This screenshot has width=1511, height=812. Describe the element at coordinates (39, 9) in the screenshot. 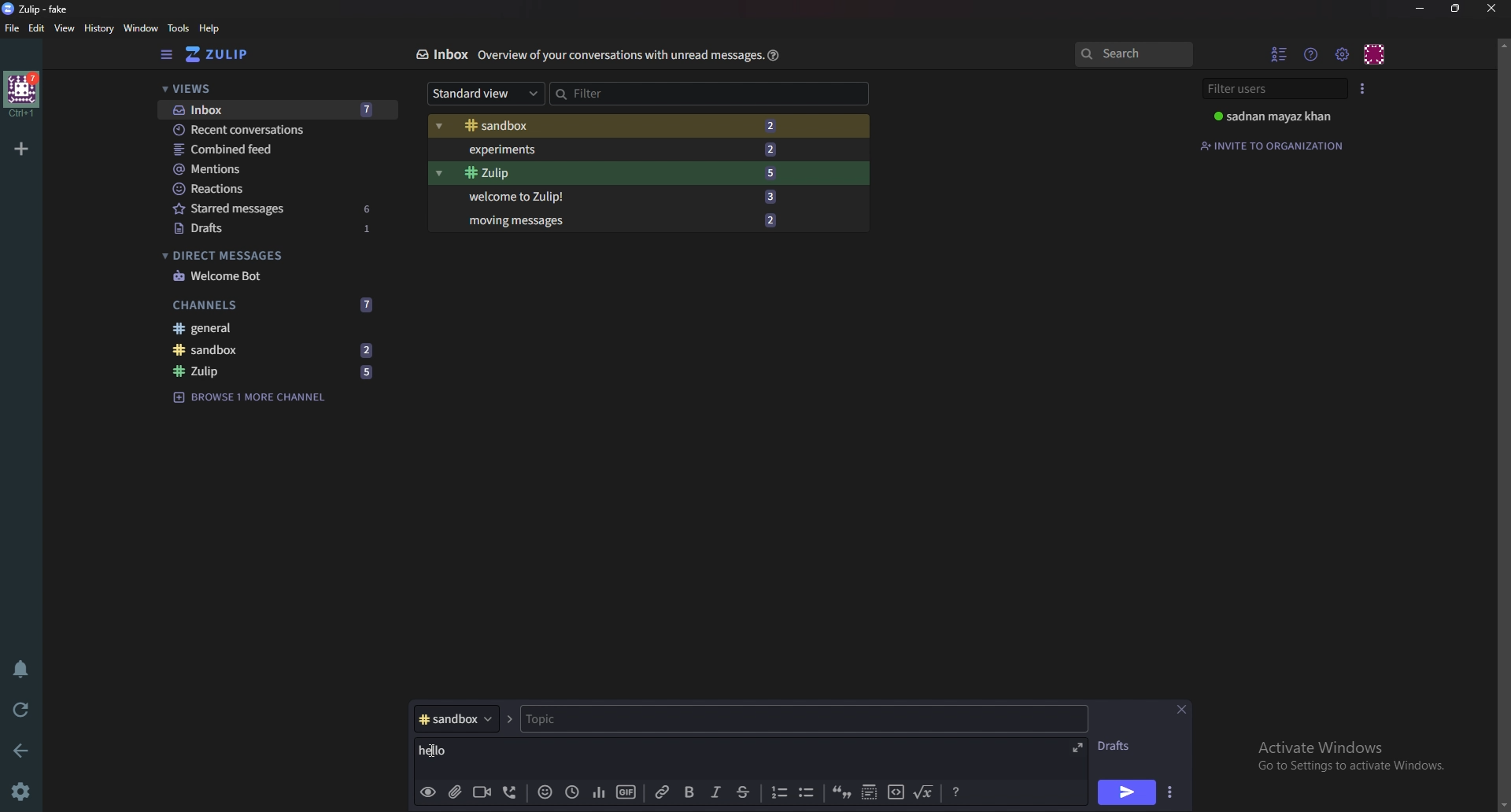

I see `zulip-fake` at that location.